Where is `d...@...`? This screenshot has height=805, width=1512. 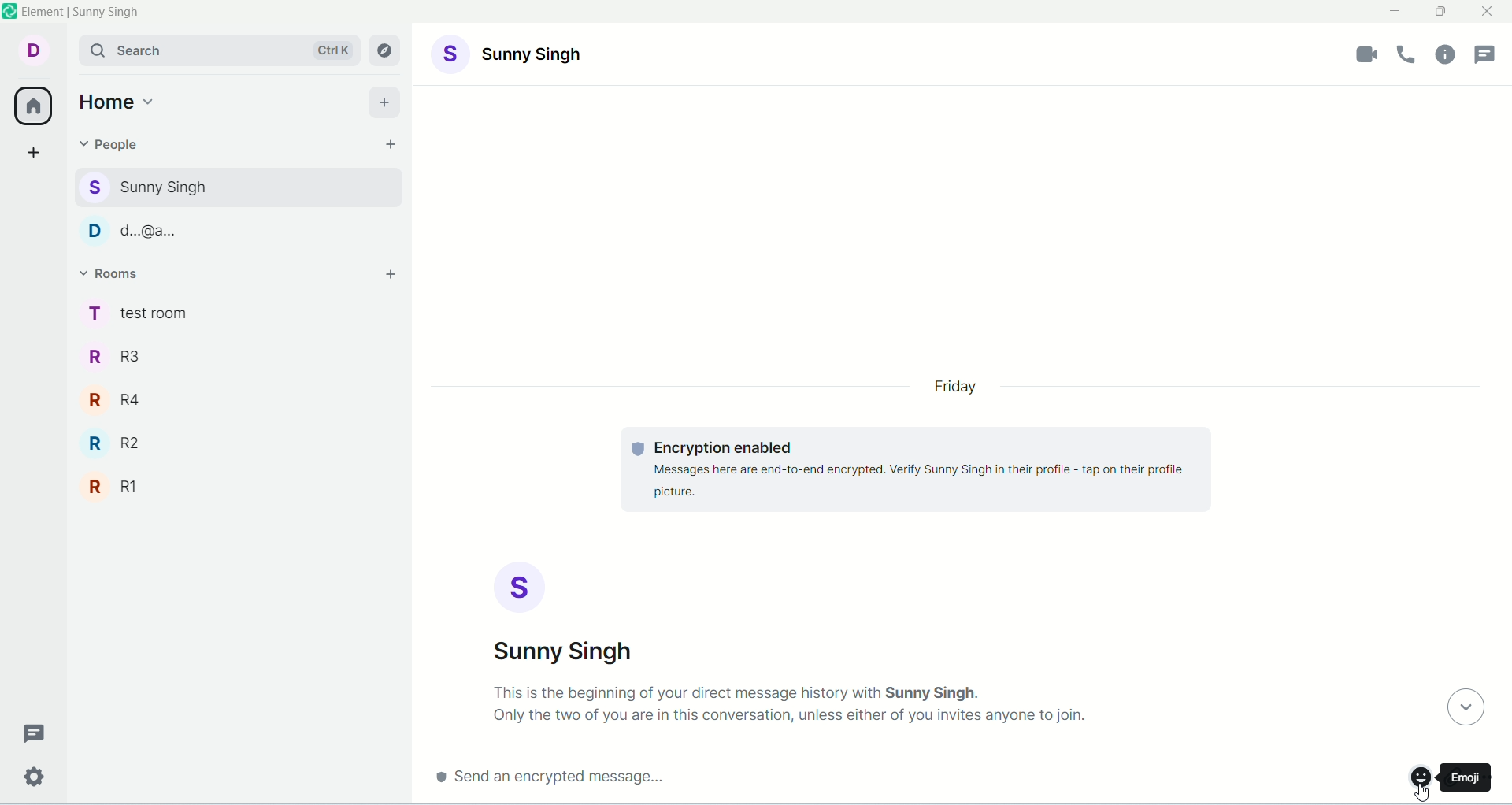 d...@... is located at coordinates (233, 228).